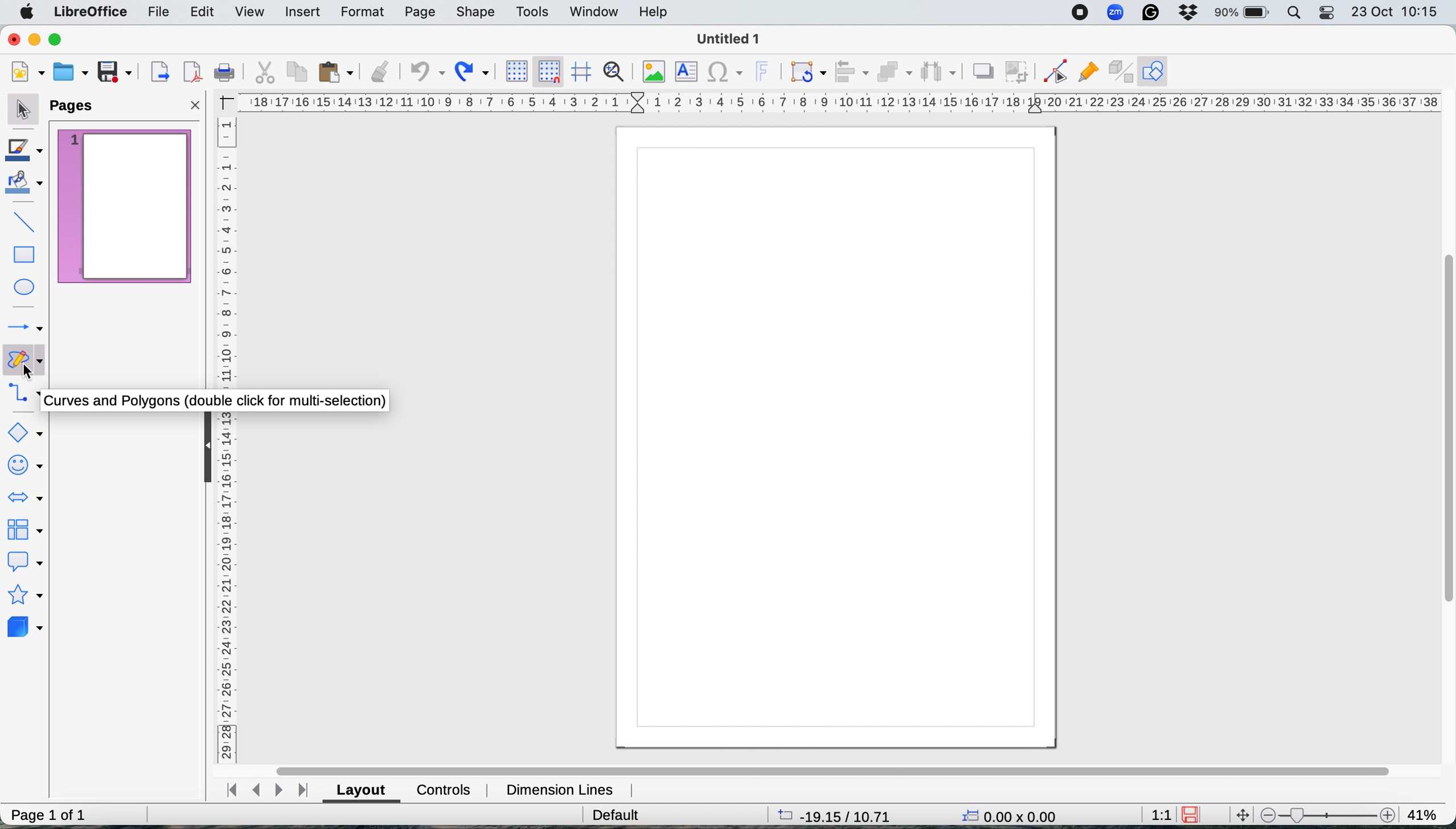 This screenshot has width=1456, height=829. Describe the element at coordinates (56, 39) in the screenshot. I see `maximise` at that location.